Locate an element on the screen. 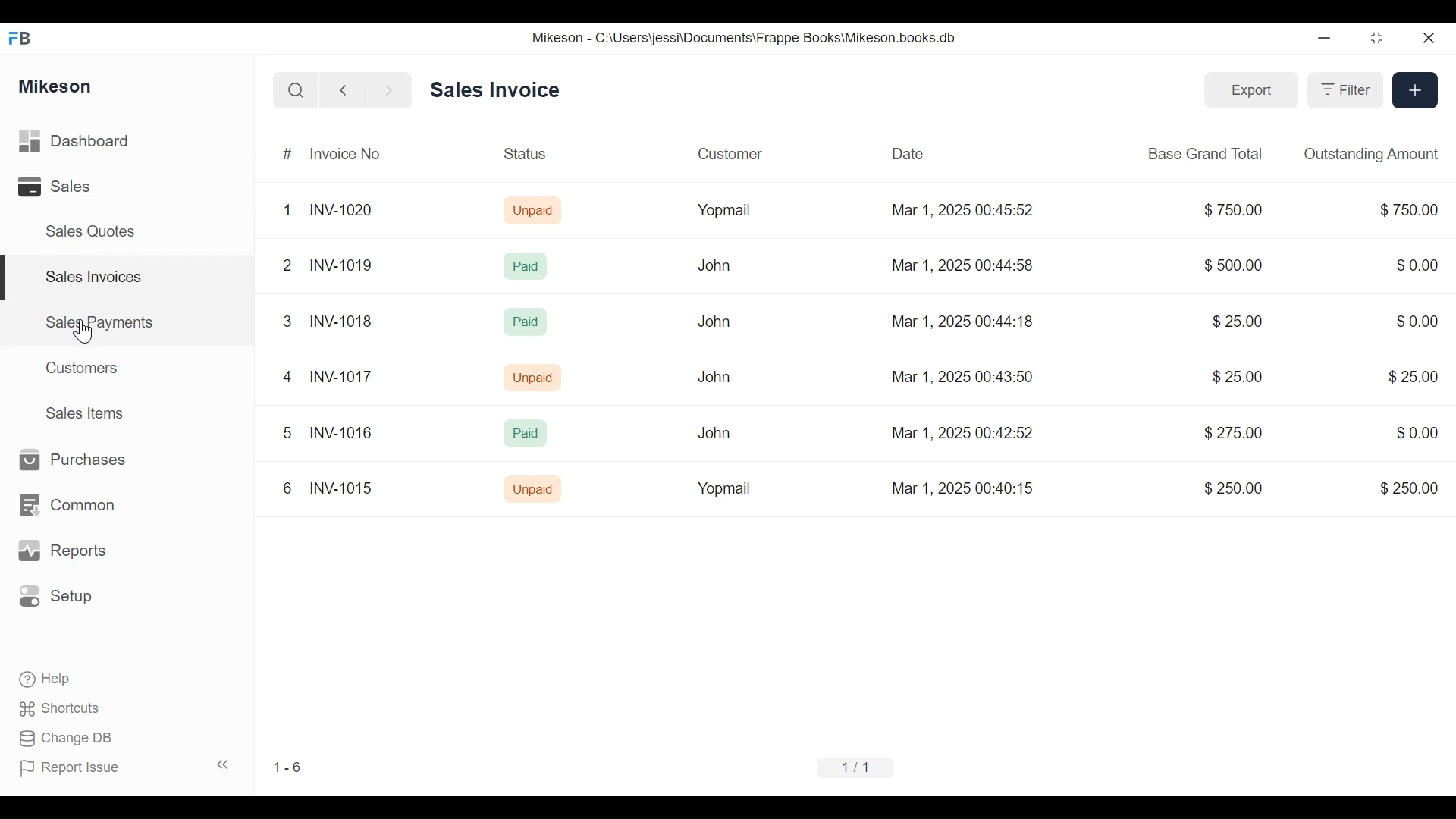 Image resolution: width=1456 pixels, height=819 pixels. John is located at coordinates (711, 378).